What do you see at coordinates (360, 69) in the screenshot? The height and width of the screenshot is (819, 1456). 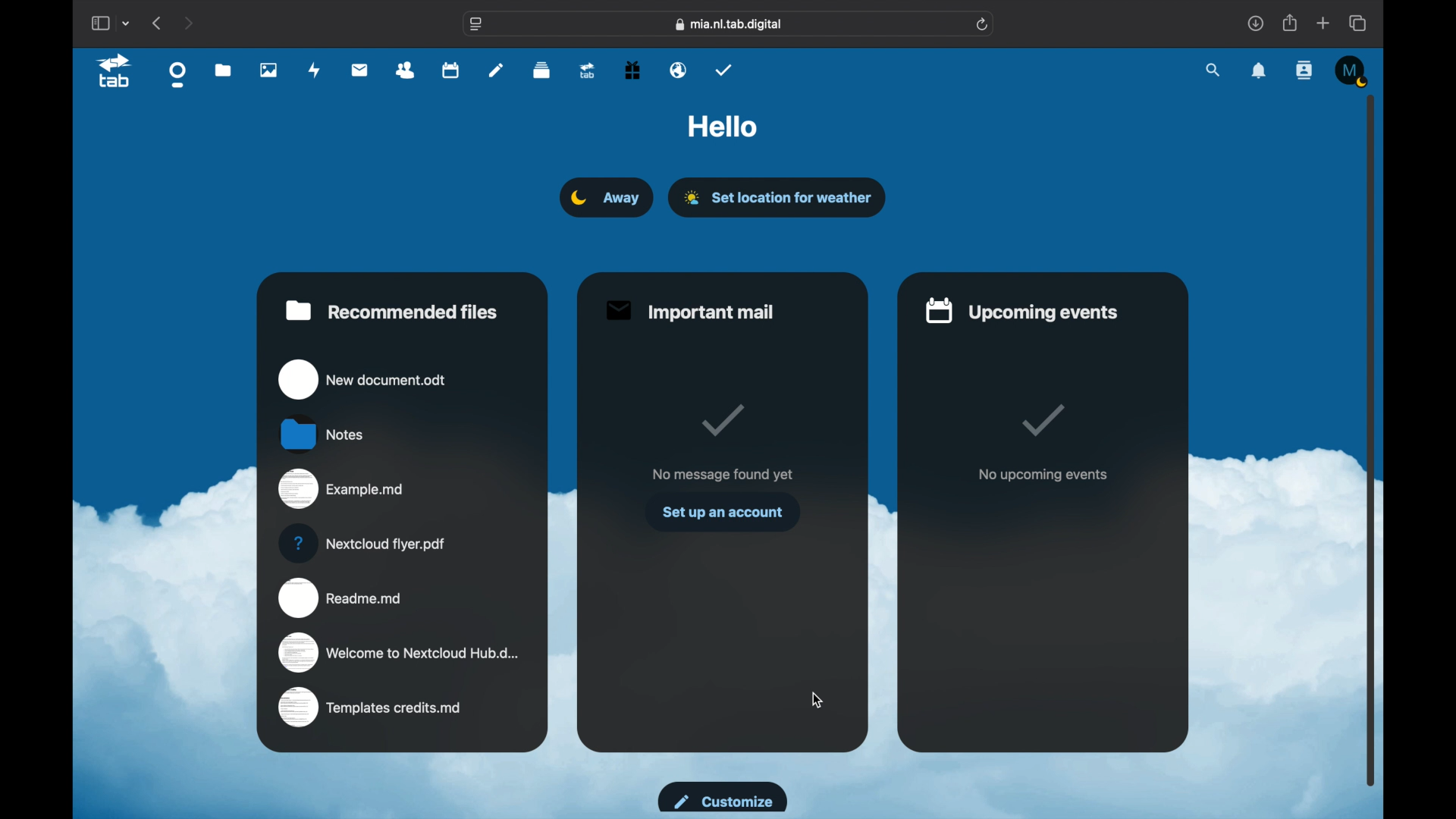 I see `mail` at bounding box center [360, 69].